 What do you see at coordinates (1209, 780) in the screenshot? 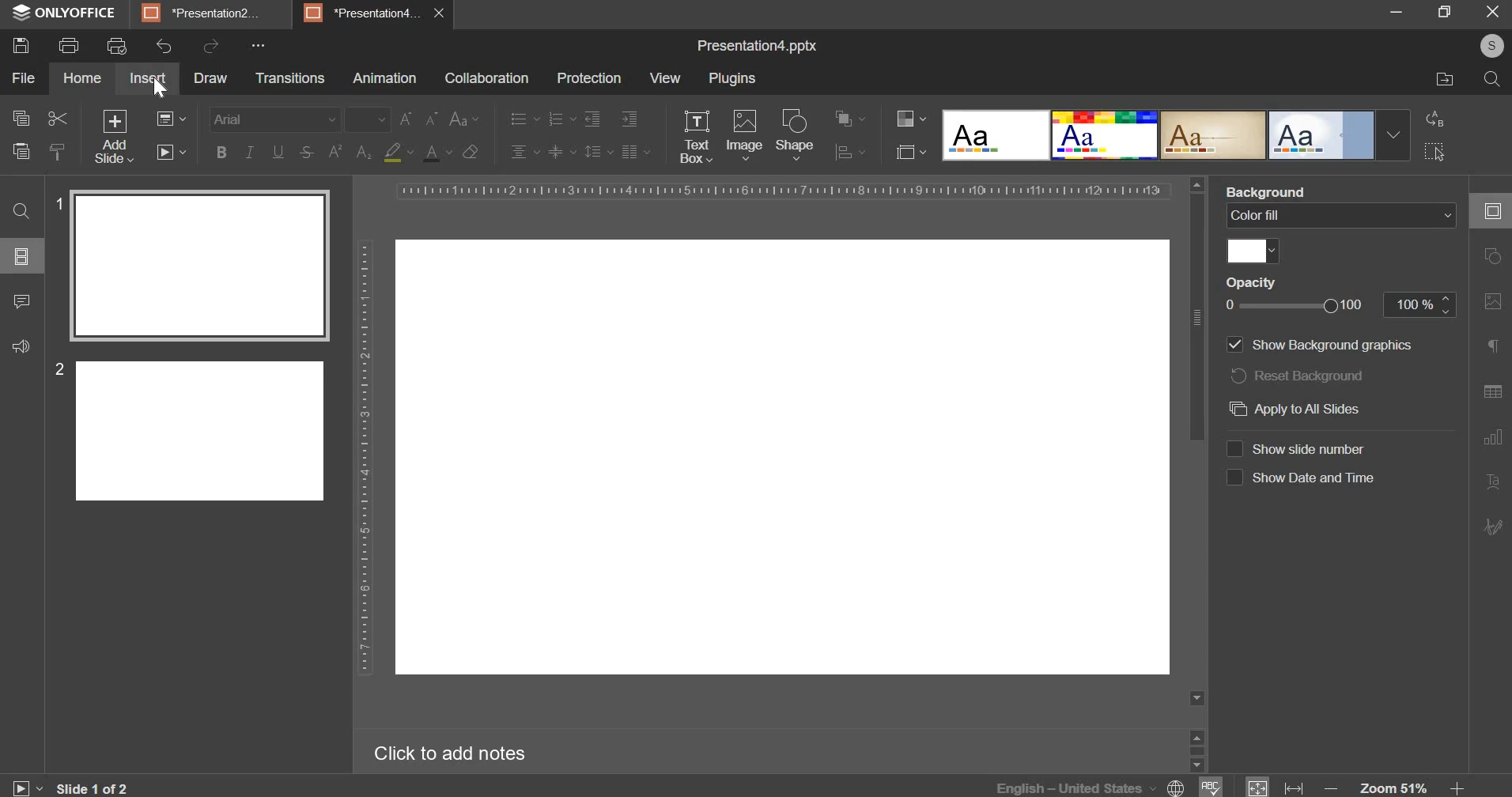
I see `spelling` at bounding box center [1209, 780].